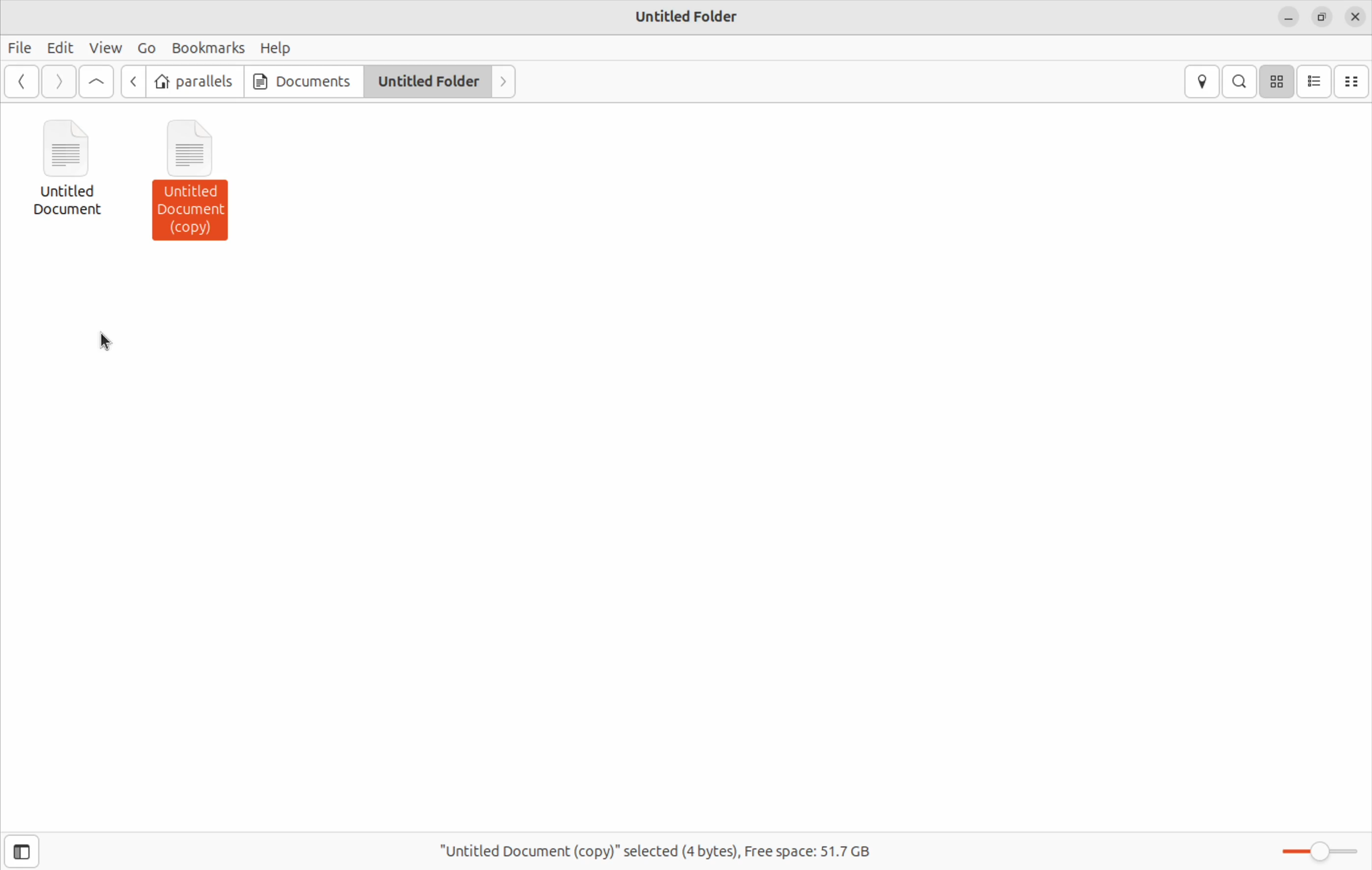 This screenshot has width=1372, height=870. Describe the element at coordinates (660, 846) in the screenshot. I see `"Untitled Document (copy)" selected (4 bytes), Free space: 51.7 GB` at that location.